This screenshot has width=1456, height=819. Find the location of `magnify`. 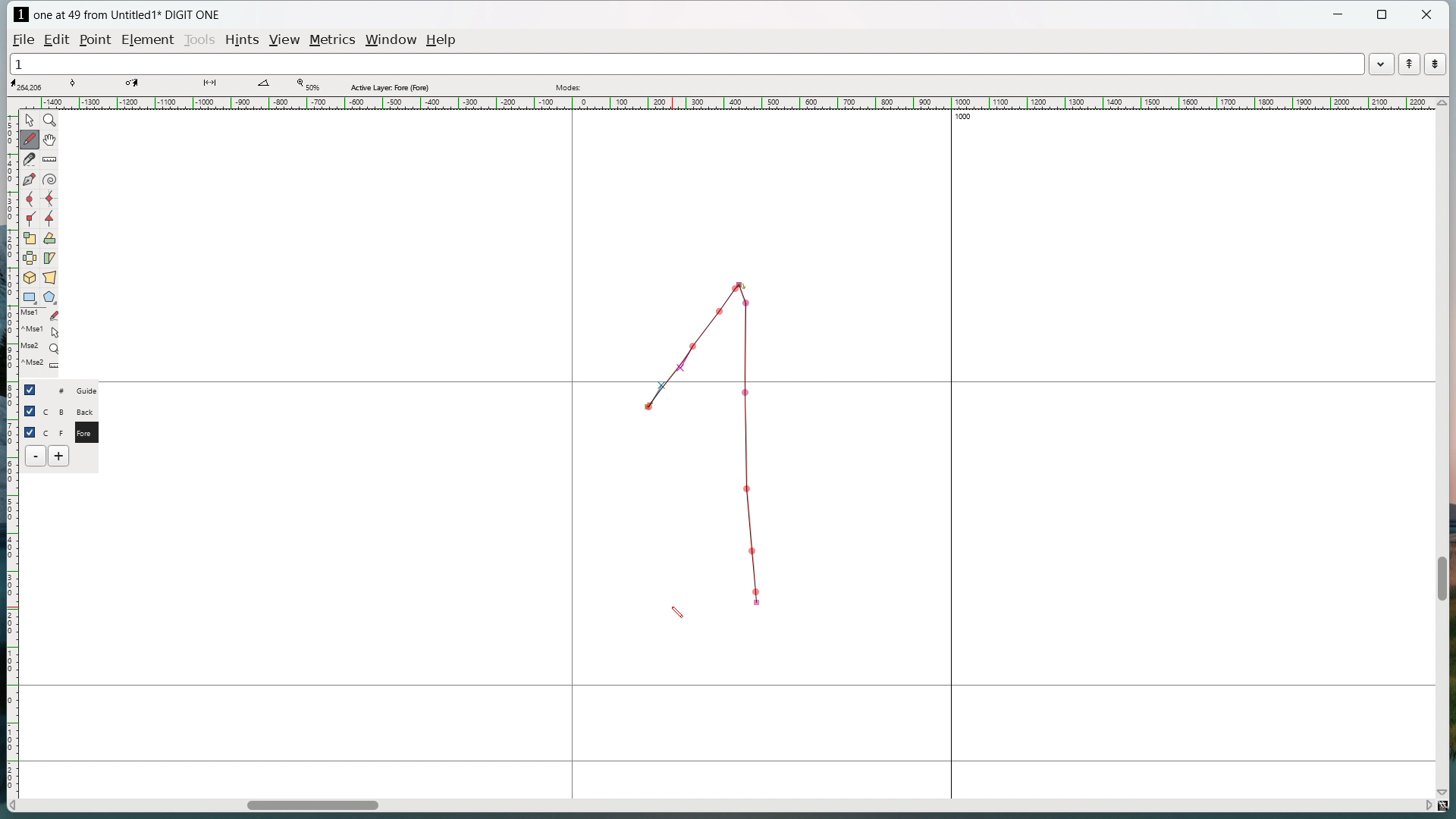

magnify is located at coordinates (50, 120).